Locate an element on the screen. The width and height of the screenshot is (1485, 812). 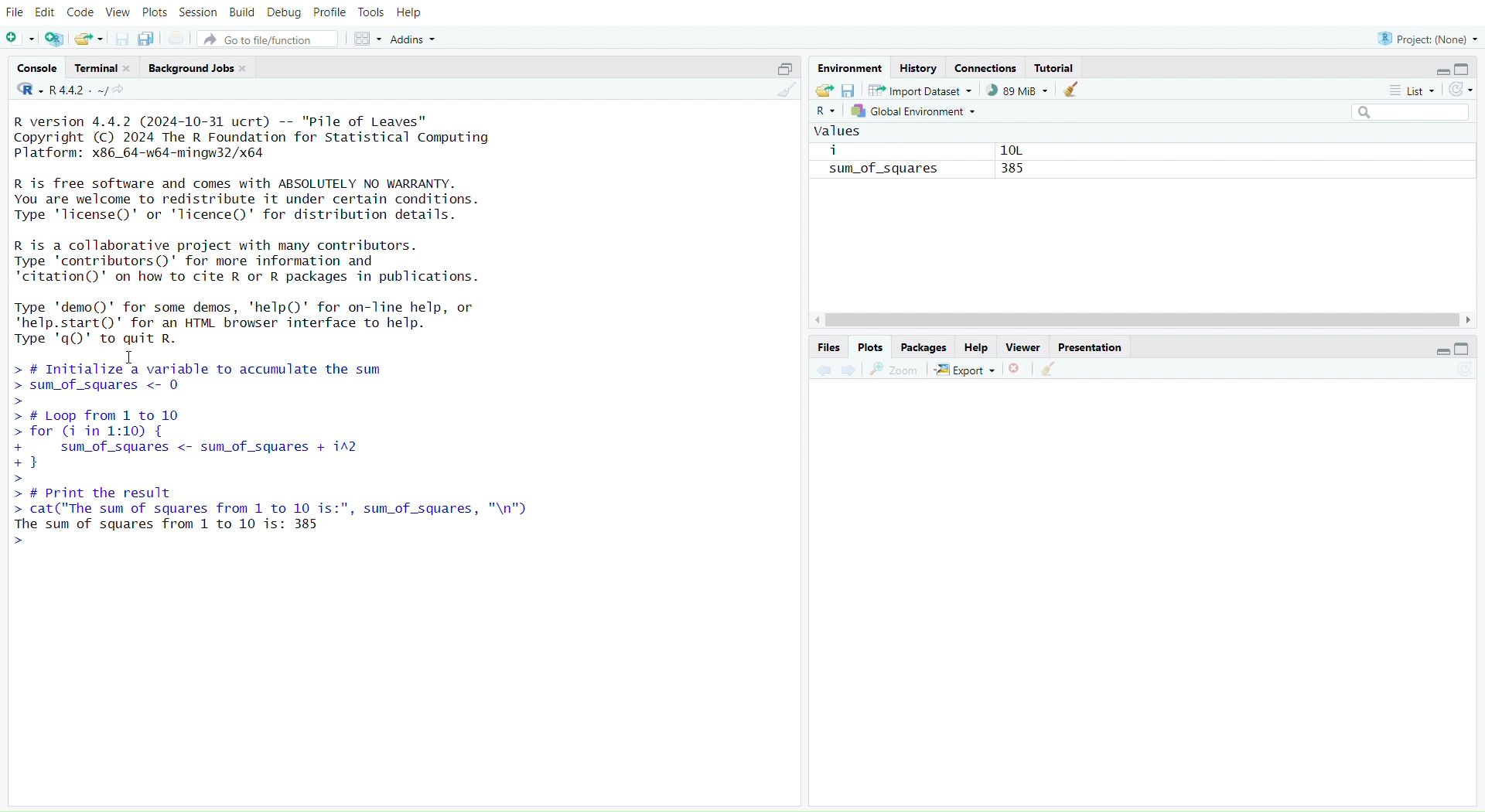
R is a collaborative project with many contributors.
Type 'contributors()' for more information and
"citation()' on how to cite R or R packages in publications. is located at coordinates (294, 263).